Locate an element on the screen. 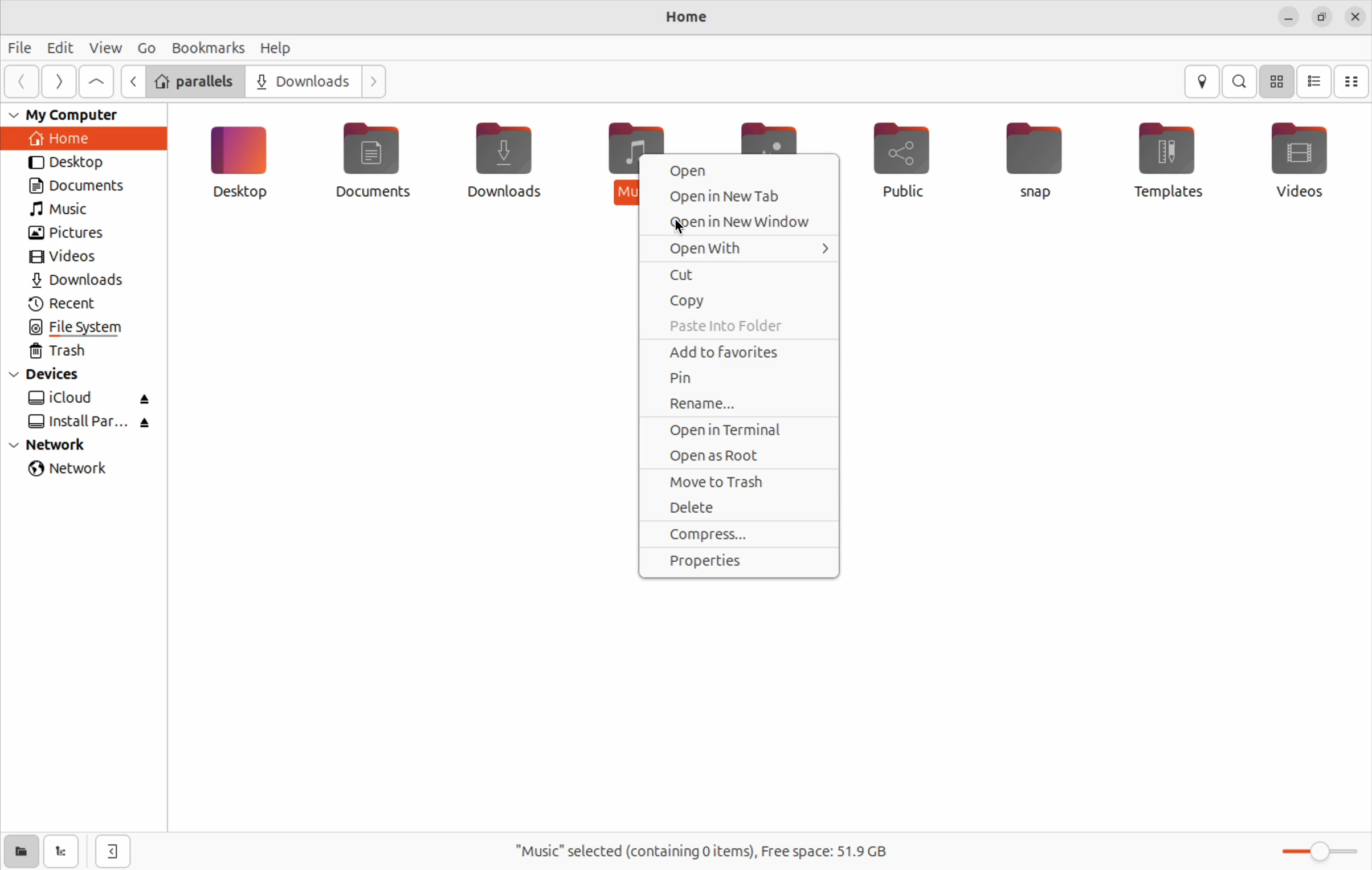  Edit is located at coordinates (56, 47).